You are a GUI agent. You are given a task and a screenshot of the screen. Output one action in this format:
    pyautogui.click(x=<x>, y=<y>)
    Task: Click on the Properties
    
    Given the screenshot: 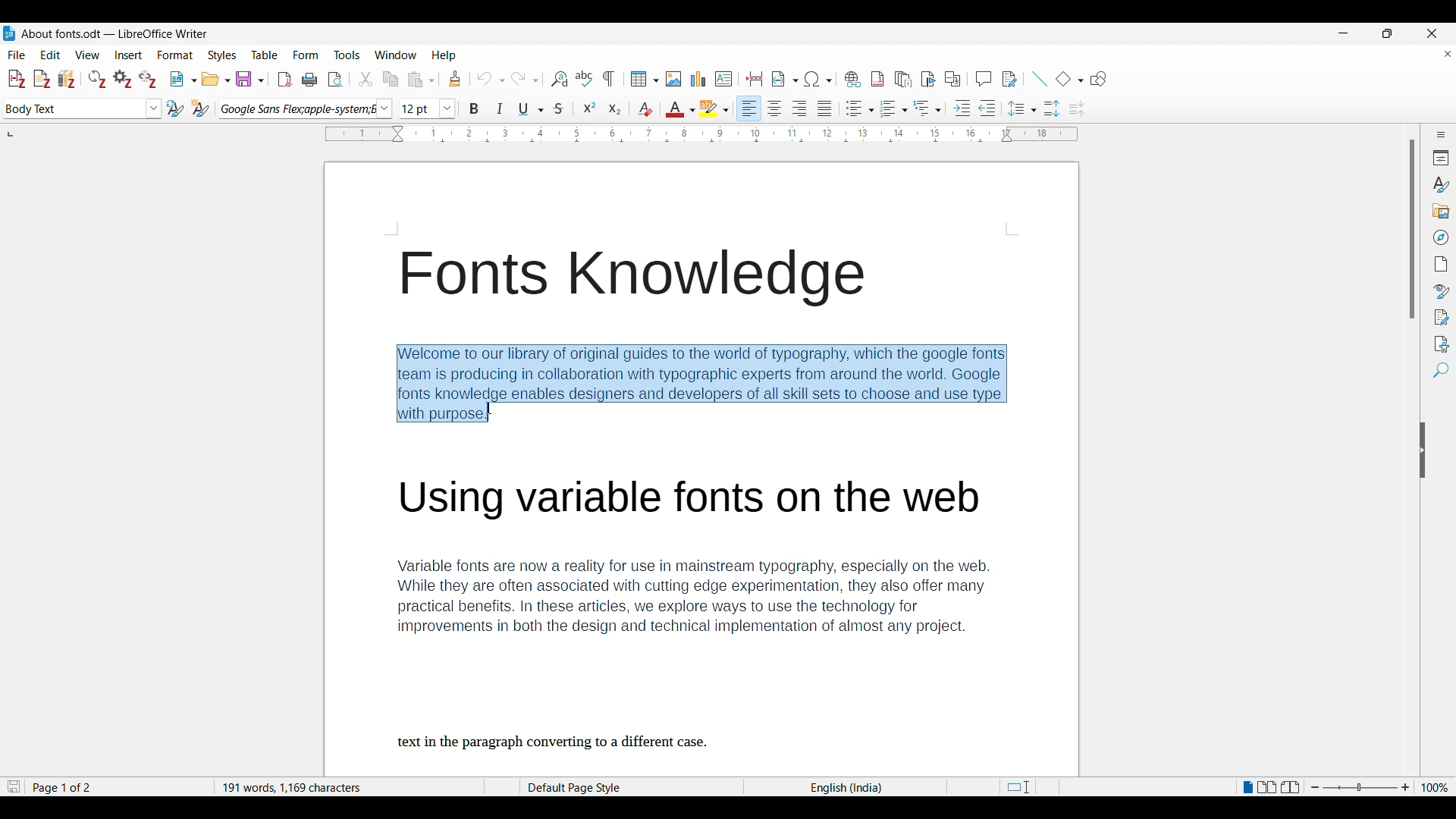 What is the action you would take?
    pyautogui.click(x=1442, y=158)
    